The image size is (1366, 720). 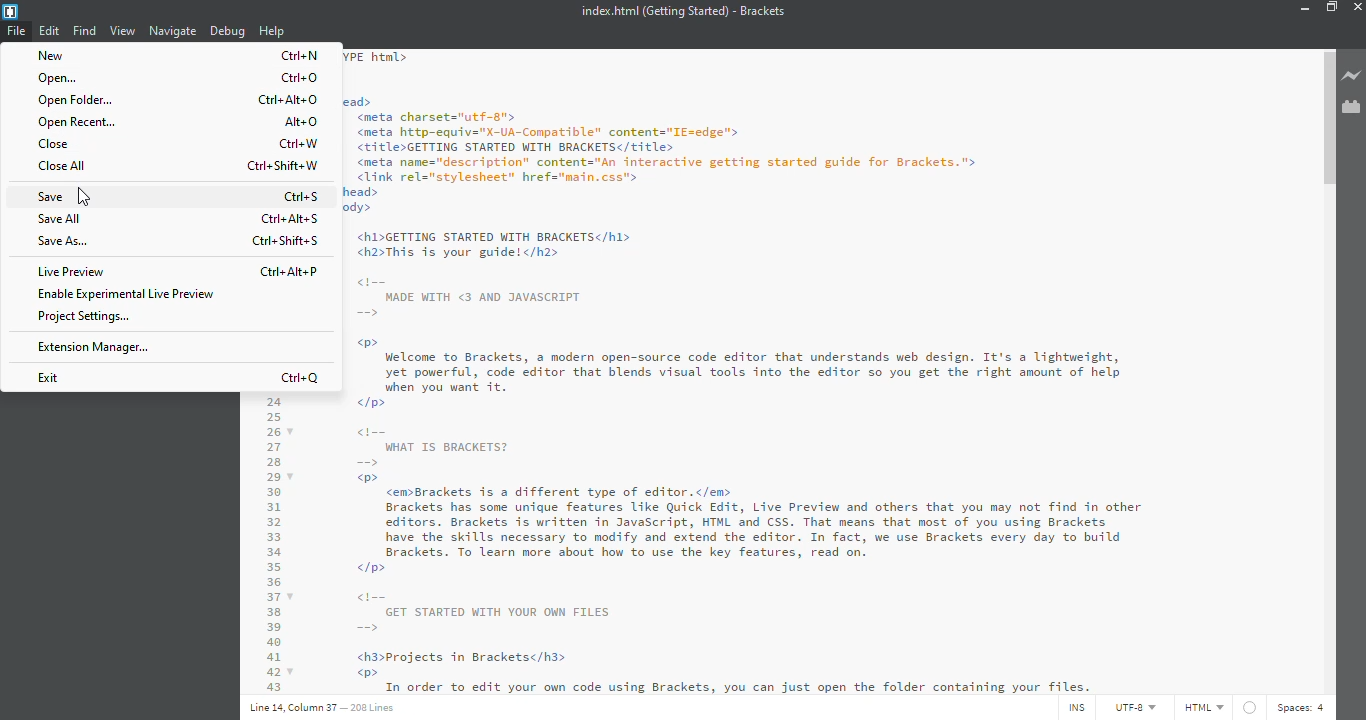 What do you see at coordinates (284, 166) in the screenshot?
I see `ctrl+shift+w` at bounding box center [284, 166].